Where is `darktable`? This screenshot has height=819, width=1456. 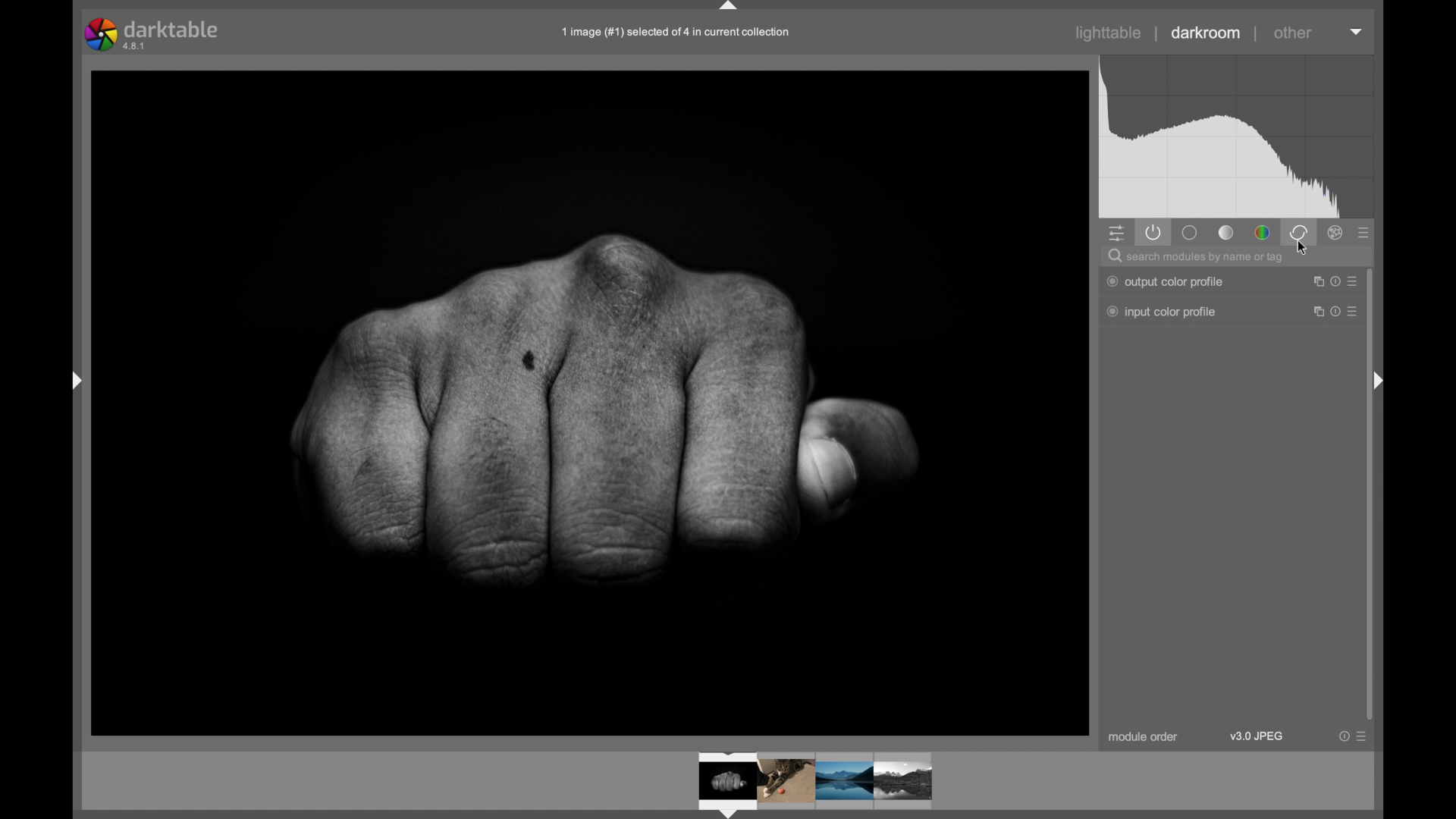
darktable is located at coordinates (153, 34).